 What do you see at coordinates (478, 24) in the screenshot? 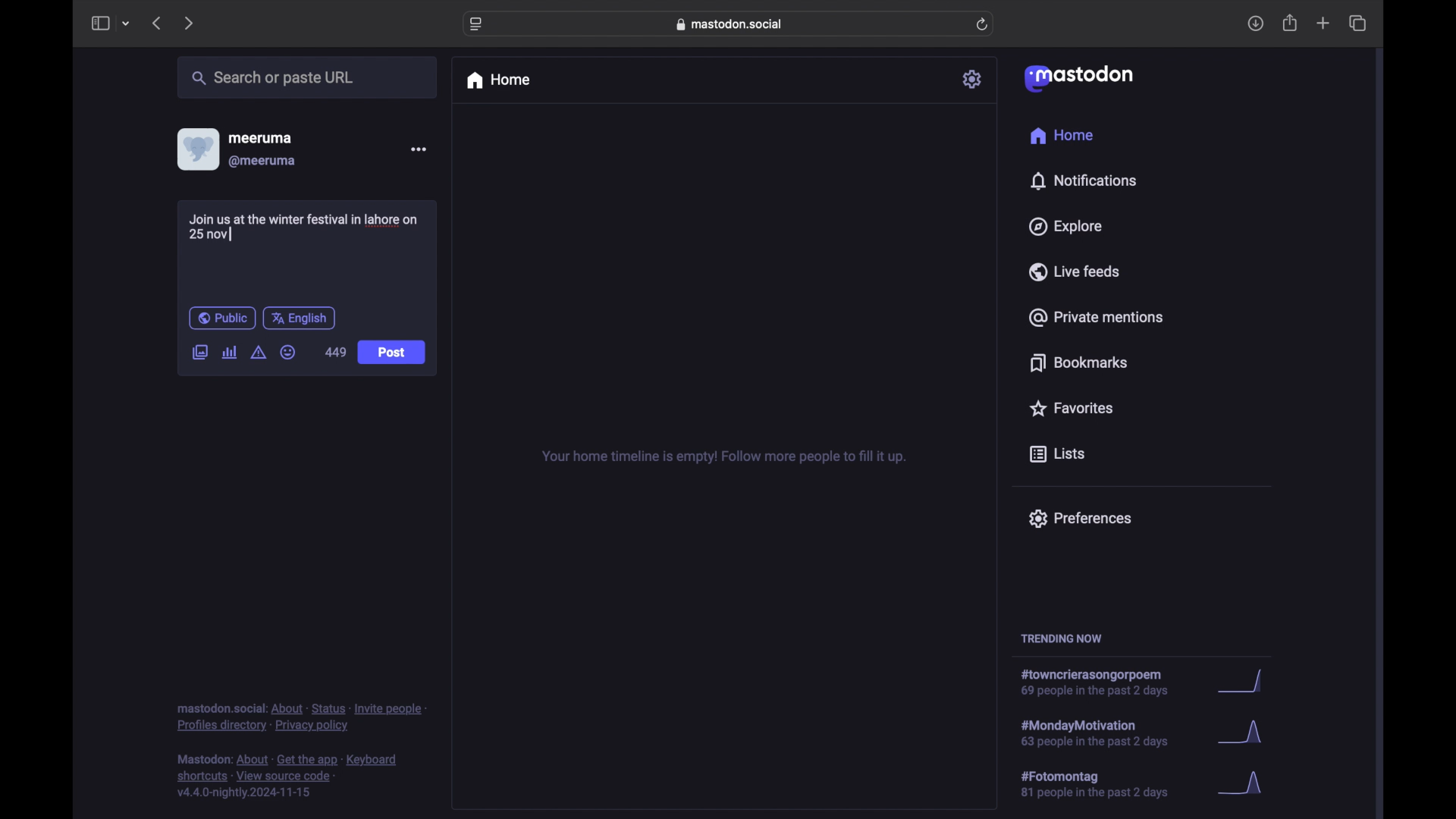
I see `website settings` at bounding box center [478, 24].